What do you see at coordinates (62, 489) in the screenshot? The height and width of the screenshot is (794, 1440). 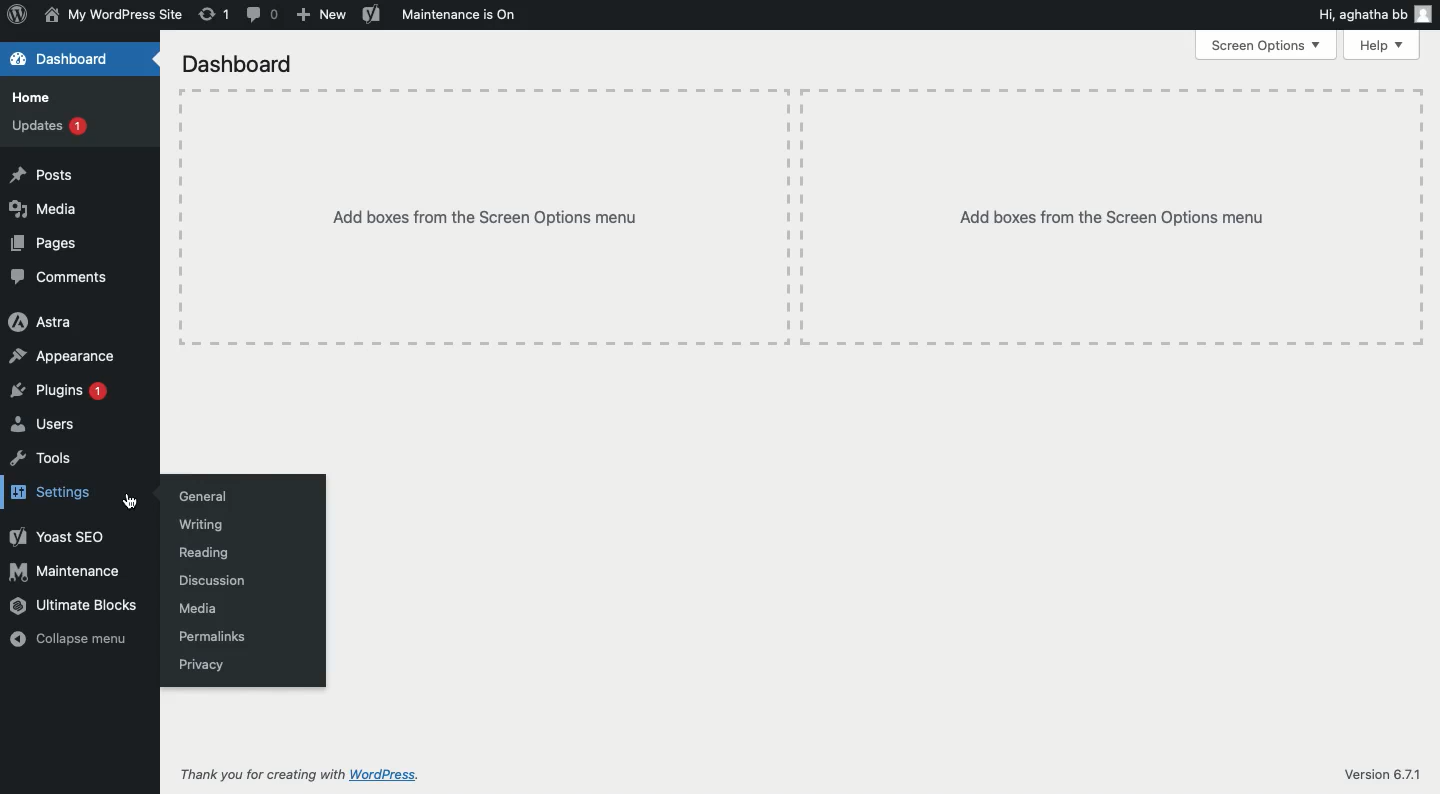 I see `Settings` at bounding box center [62, 489].